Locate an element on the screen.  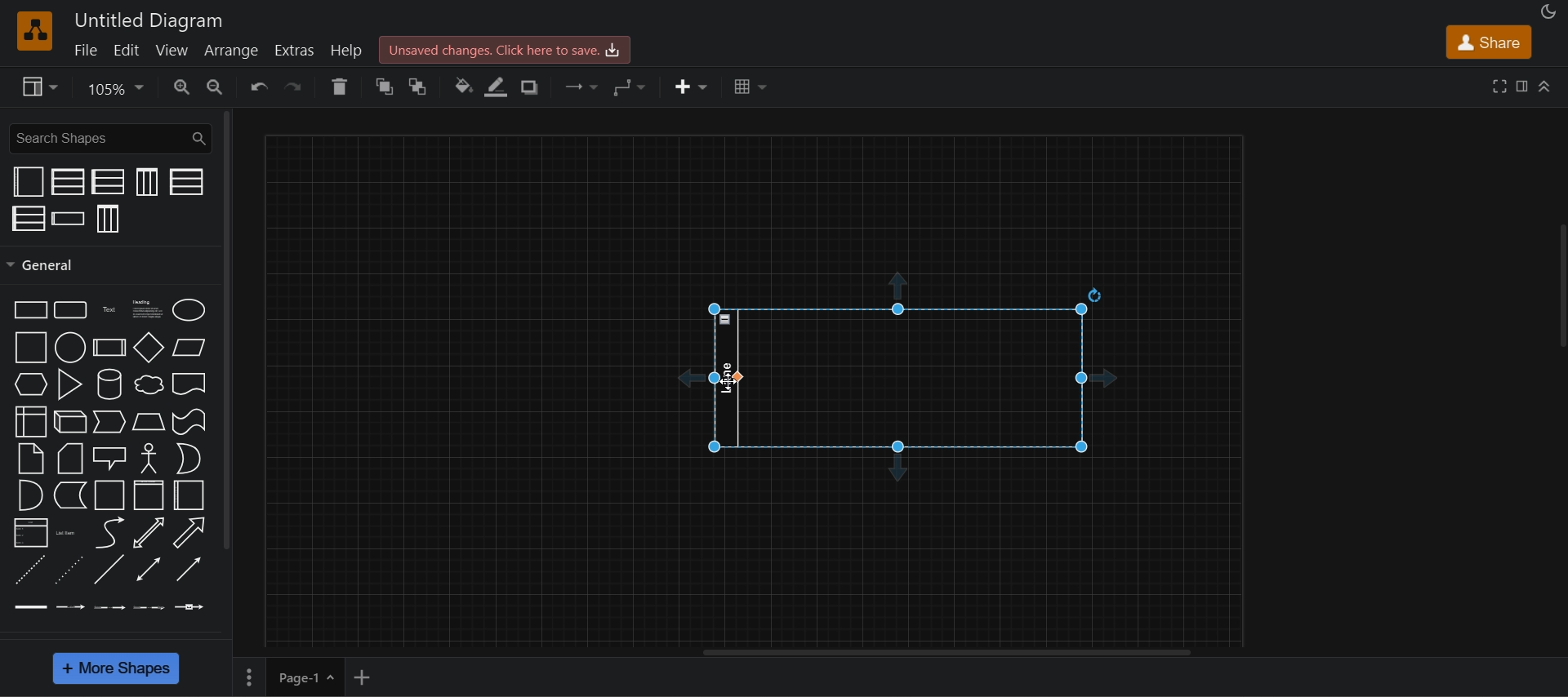
general is located at coordinates (228, 328).